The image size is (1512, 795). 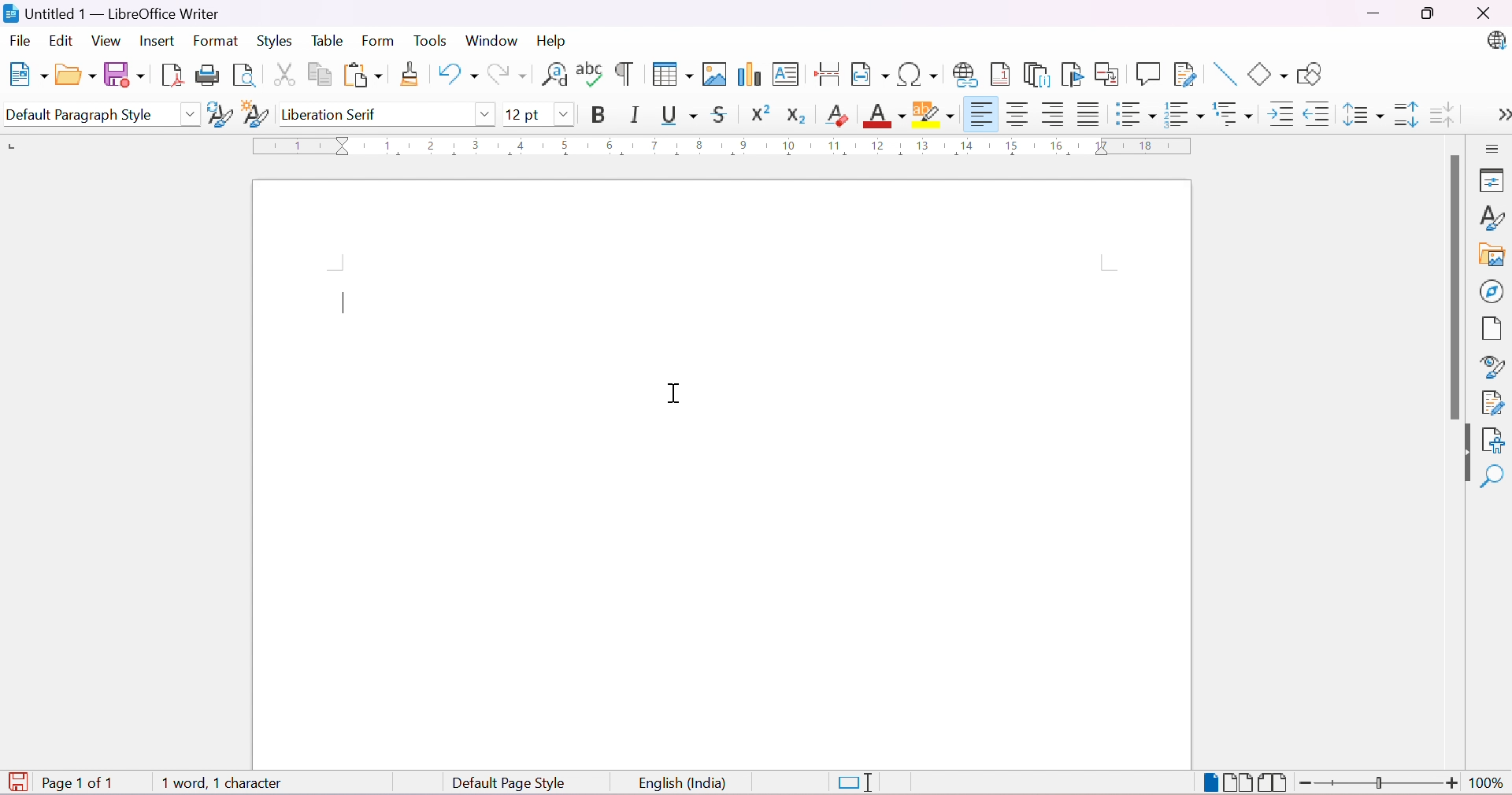 I want to click on Underline, so click(x=679, y=114).